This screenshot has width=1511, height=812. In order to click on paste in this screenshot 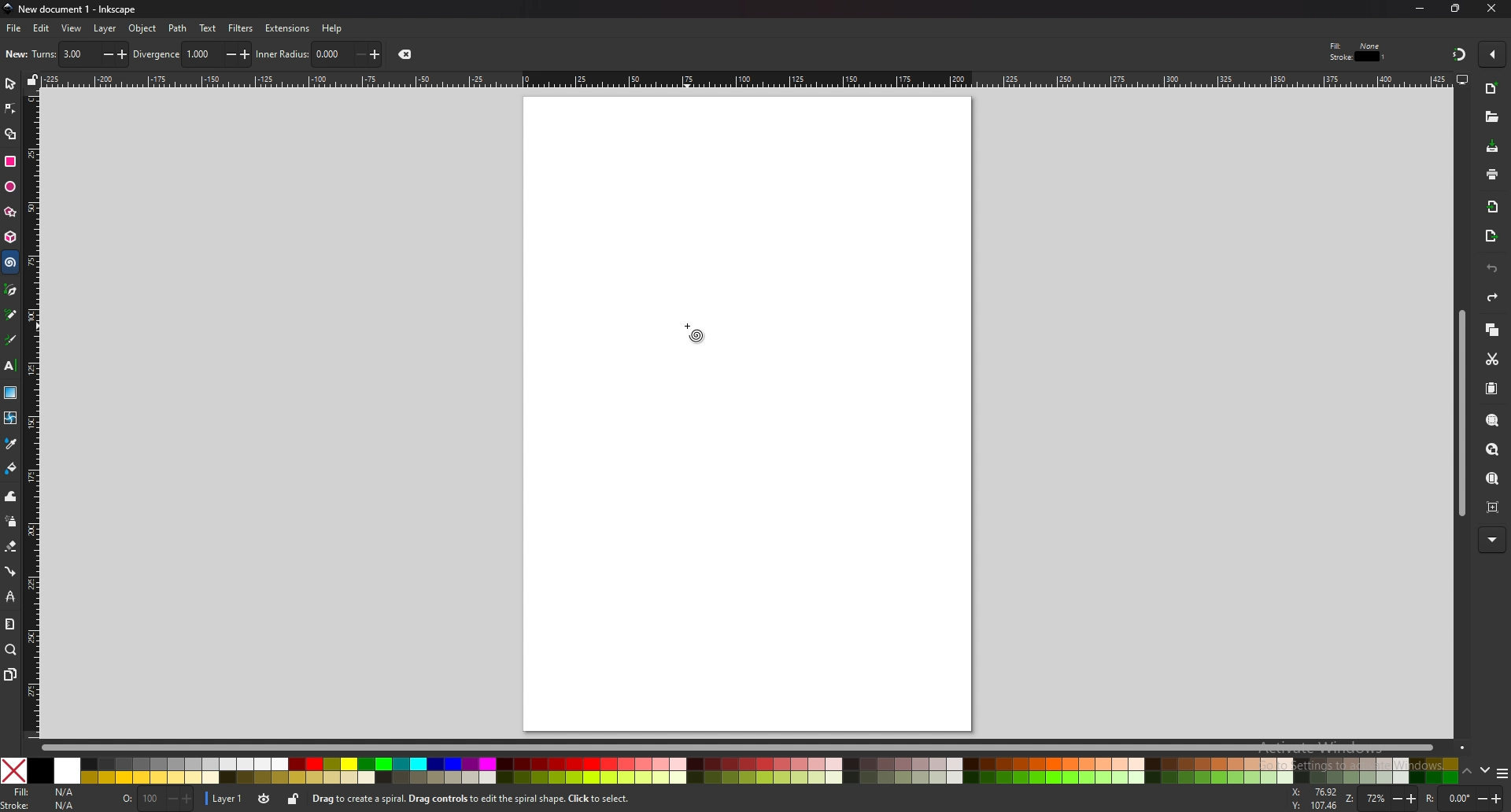, I will do `click(1491, 388)`.